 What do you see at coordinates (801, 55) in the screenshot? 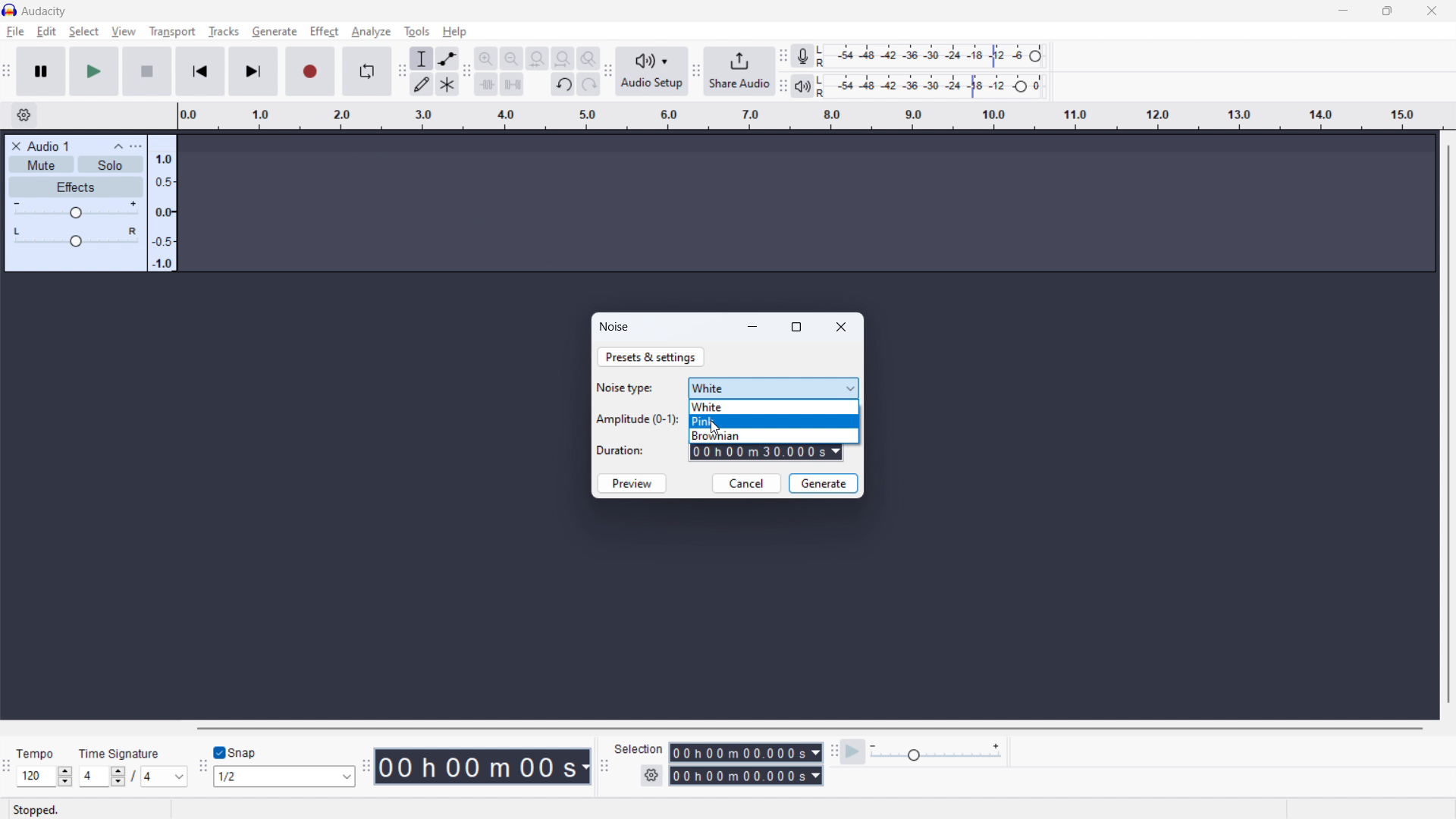
I see `` at bounding box center [801, 55].